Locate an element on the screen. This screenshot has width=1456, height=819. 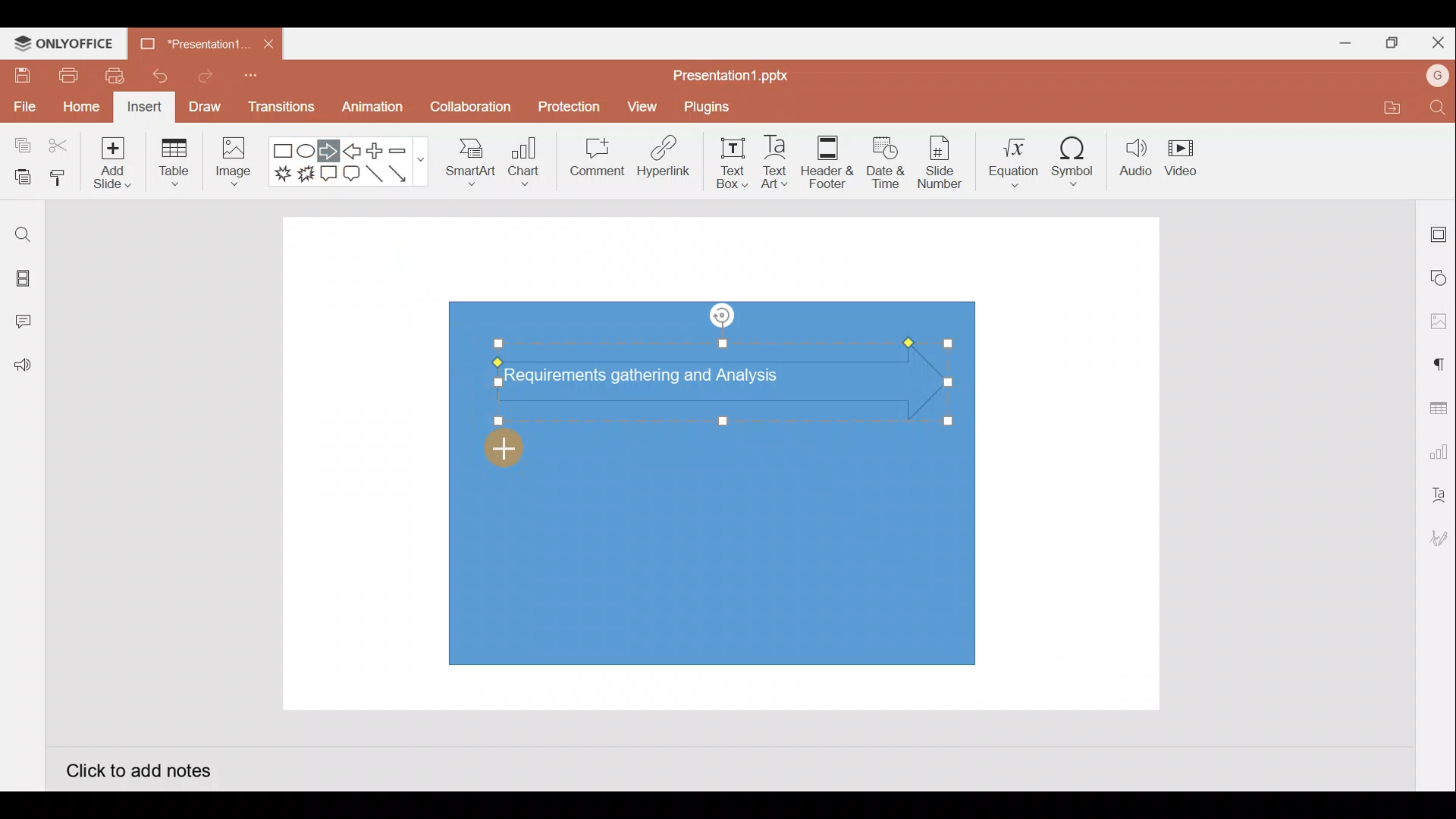
Chart is located at coordinates (525, 160).